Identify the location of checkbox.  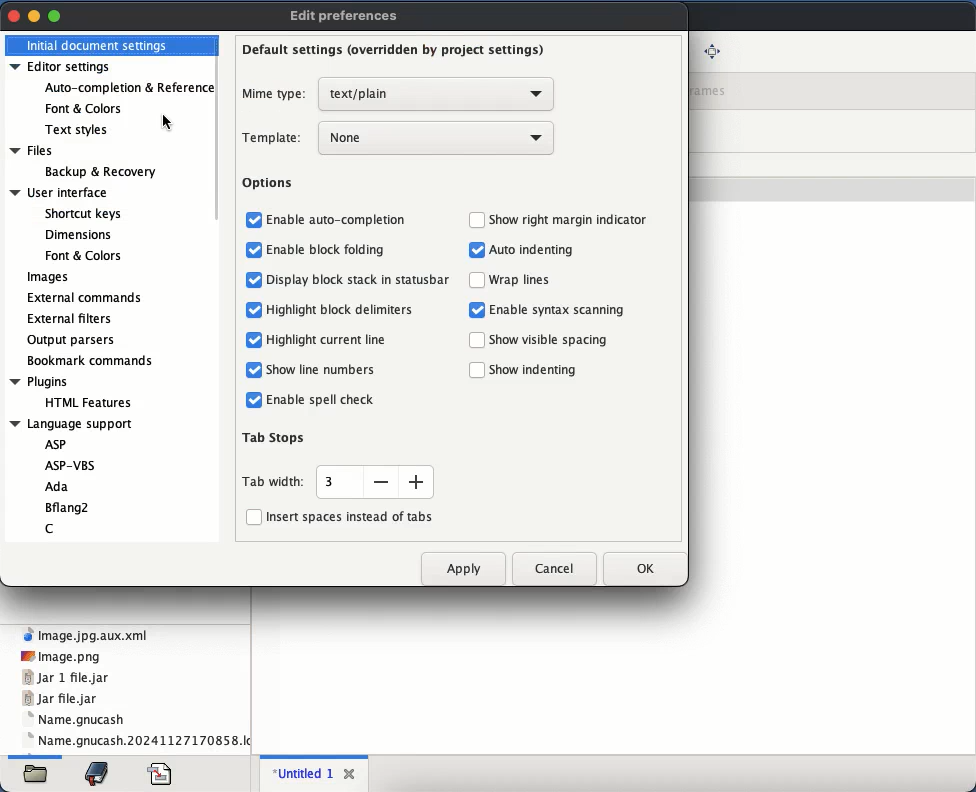
(251, 370).